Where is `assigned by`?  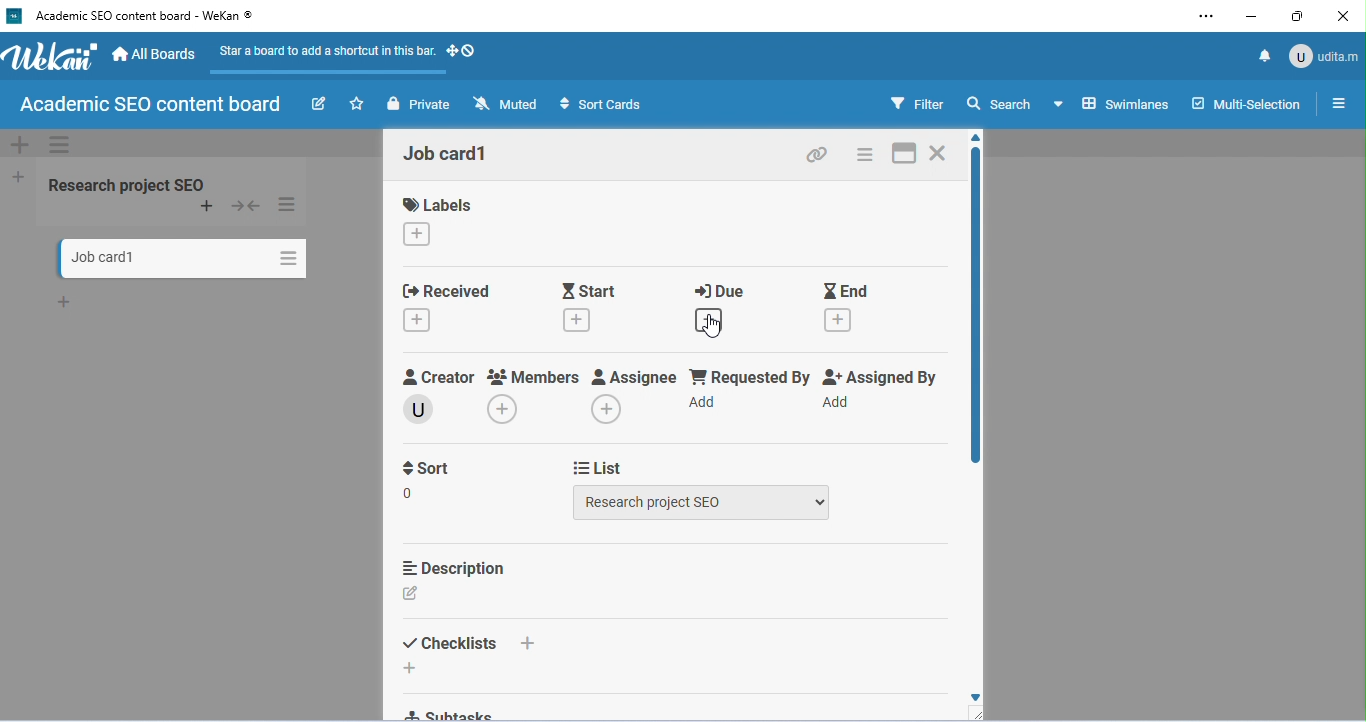
assigned by is located at coordinates (884, 376).